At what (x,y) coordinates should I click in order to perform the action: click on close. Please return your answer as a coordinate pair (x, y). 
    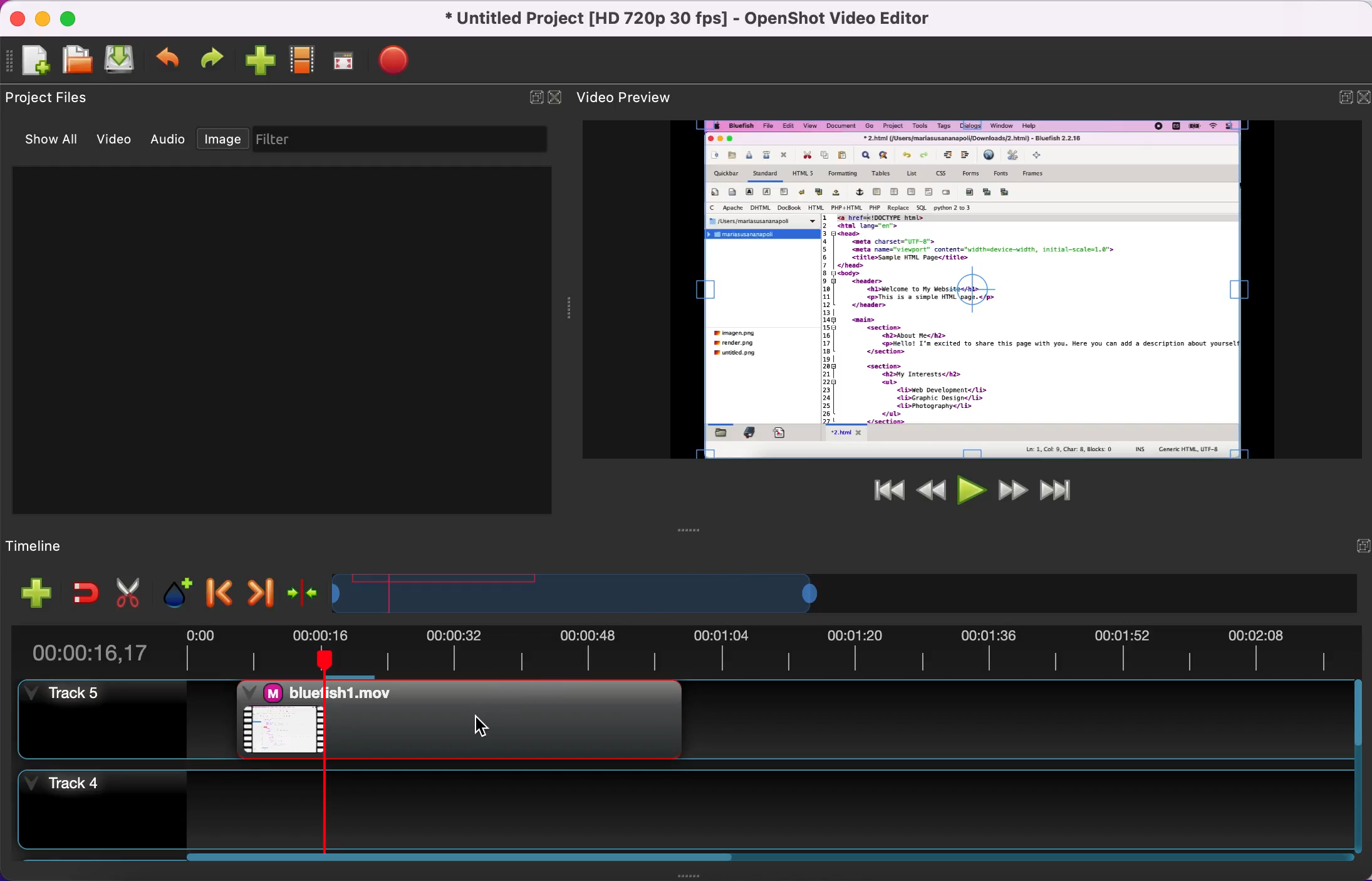
    Looking at the image, I should click on (556, 96).